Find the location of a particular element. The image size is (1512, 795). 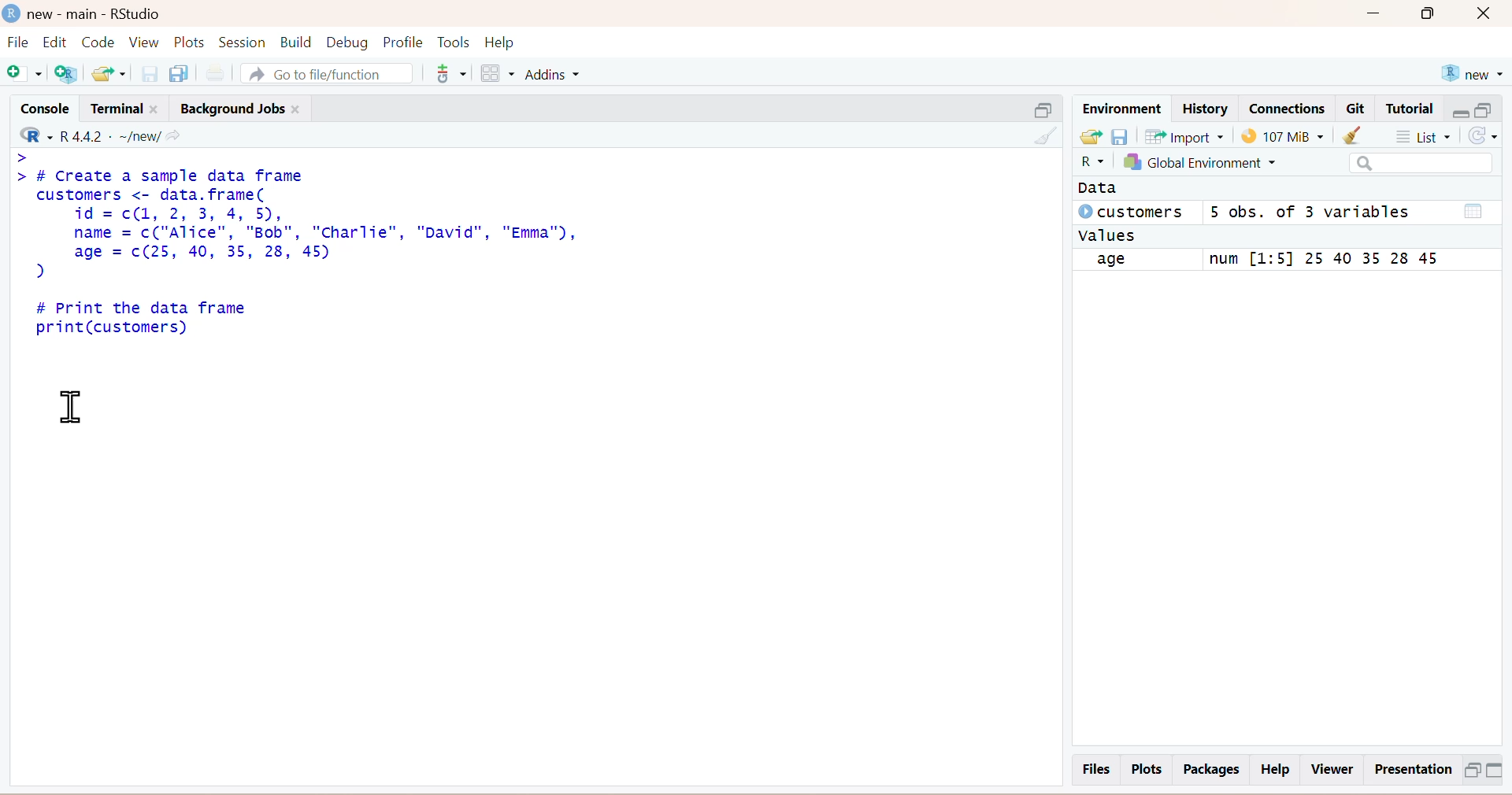

age num [1:5] 25 40 35 28 45 is located at coordinates (1277, 260).